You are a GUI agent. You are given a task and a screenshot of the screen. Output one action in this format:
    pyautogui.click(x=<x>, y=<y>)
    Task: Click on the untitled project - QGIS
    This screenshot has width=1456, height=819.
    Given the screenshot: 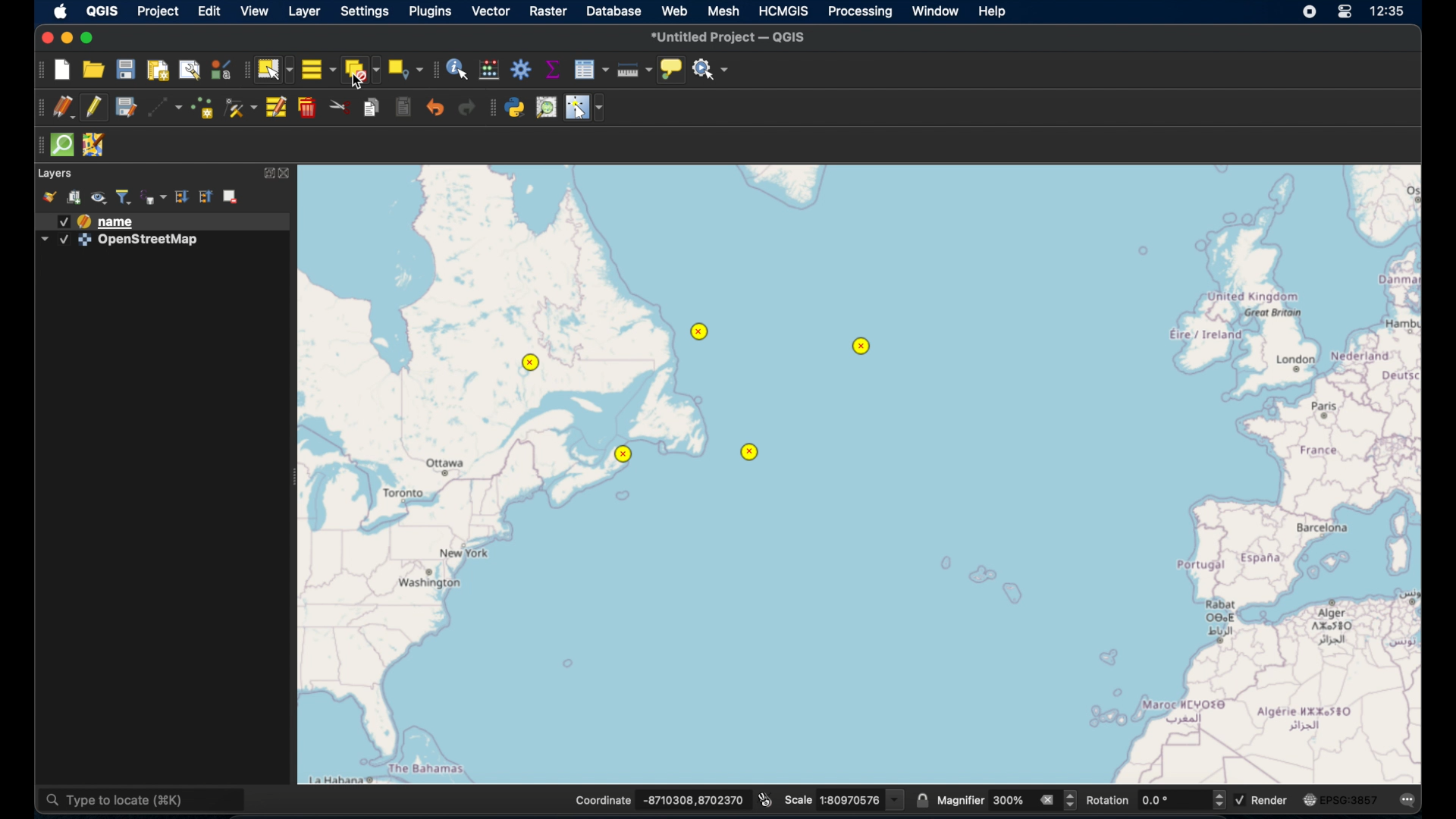 What is the action you would take?
    pyautogui.click(x=733, y=36)
    